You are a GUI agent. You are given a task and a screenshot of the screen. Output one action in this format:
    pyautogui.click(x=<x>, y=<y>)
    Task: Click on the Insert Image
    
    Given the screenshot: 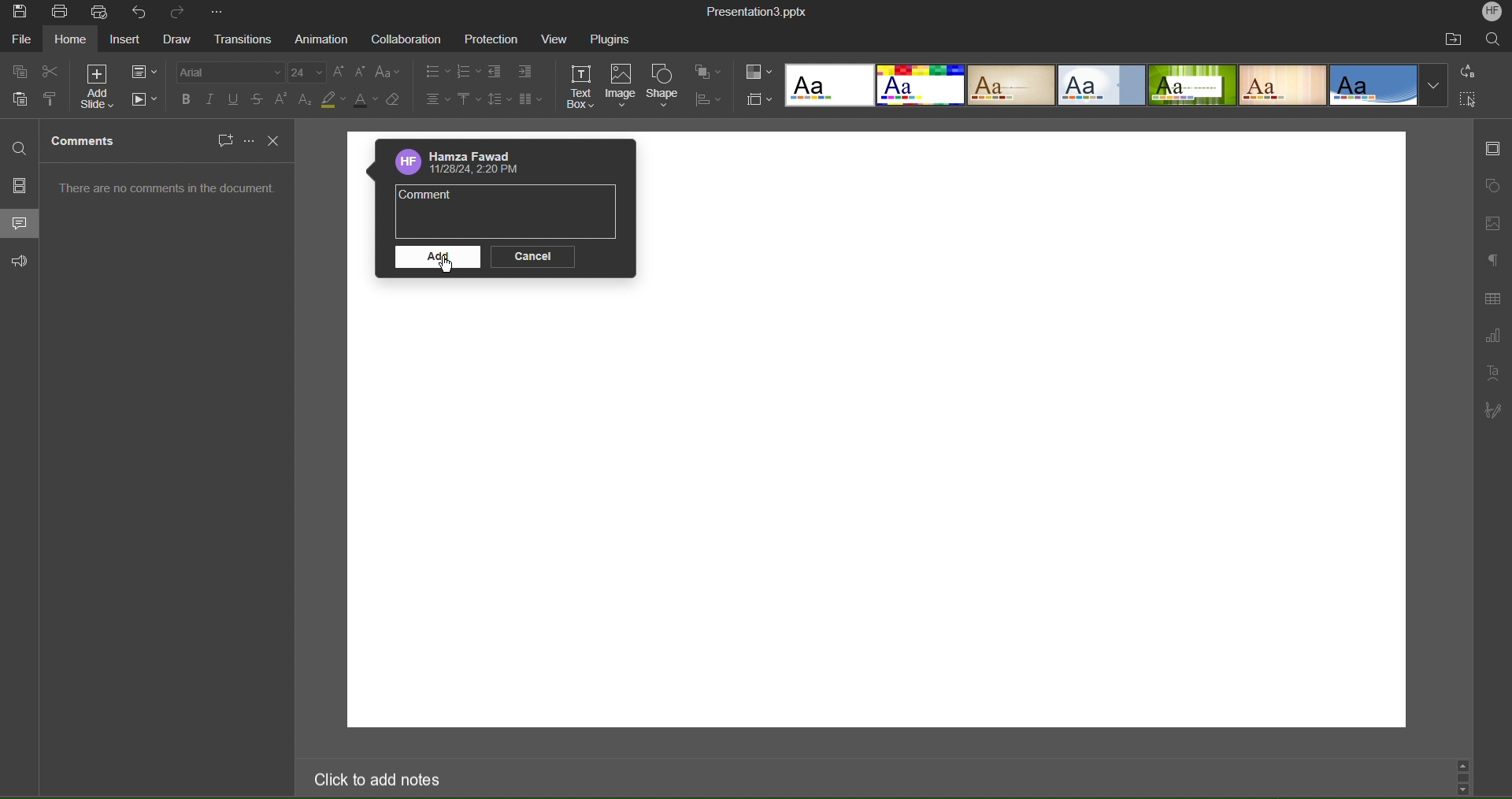 What is the action you would take?
    pyautogui.click(x=1493, y=225)
    